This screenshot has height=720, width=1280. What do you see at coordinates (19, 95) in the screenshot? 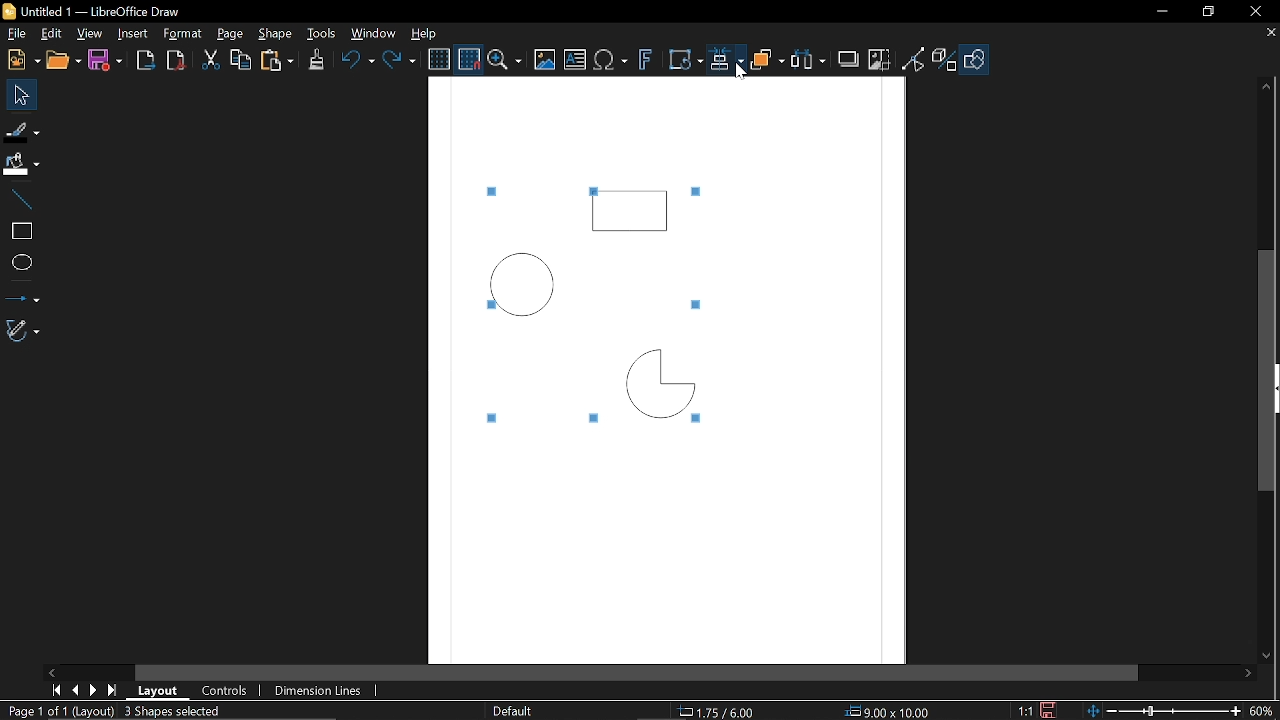
I see `Select` at bounding box center [19, 95].